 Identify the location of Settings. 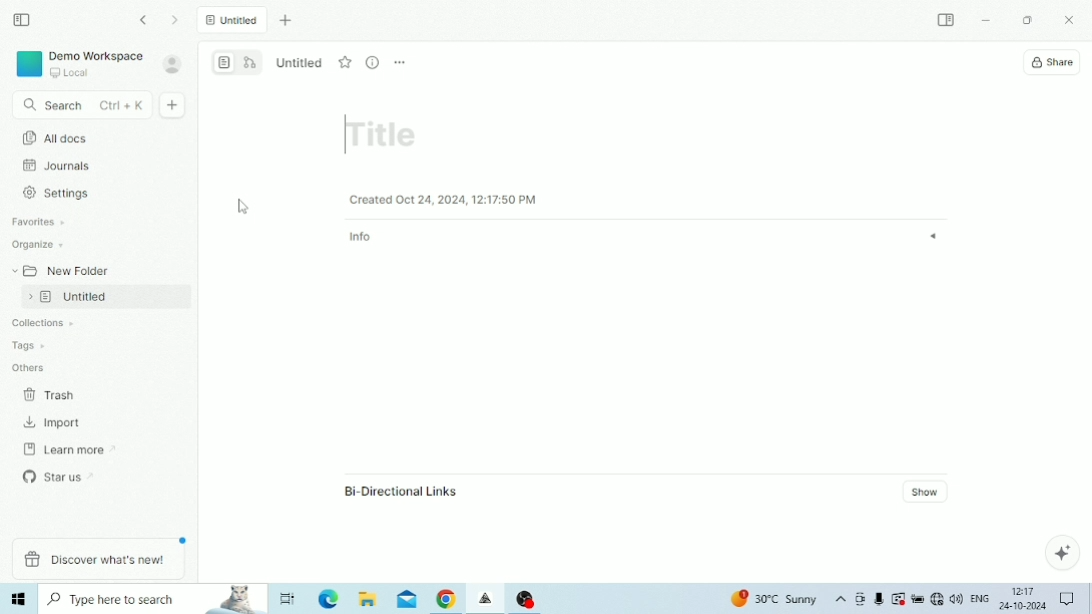
(61, 193).